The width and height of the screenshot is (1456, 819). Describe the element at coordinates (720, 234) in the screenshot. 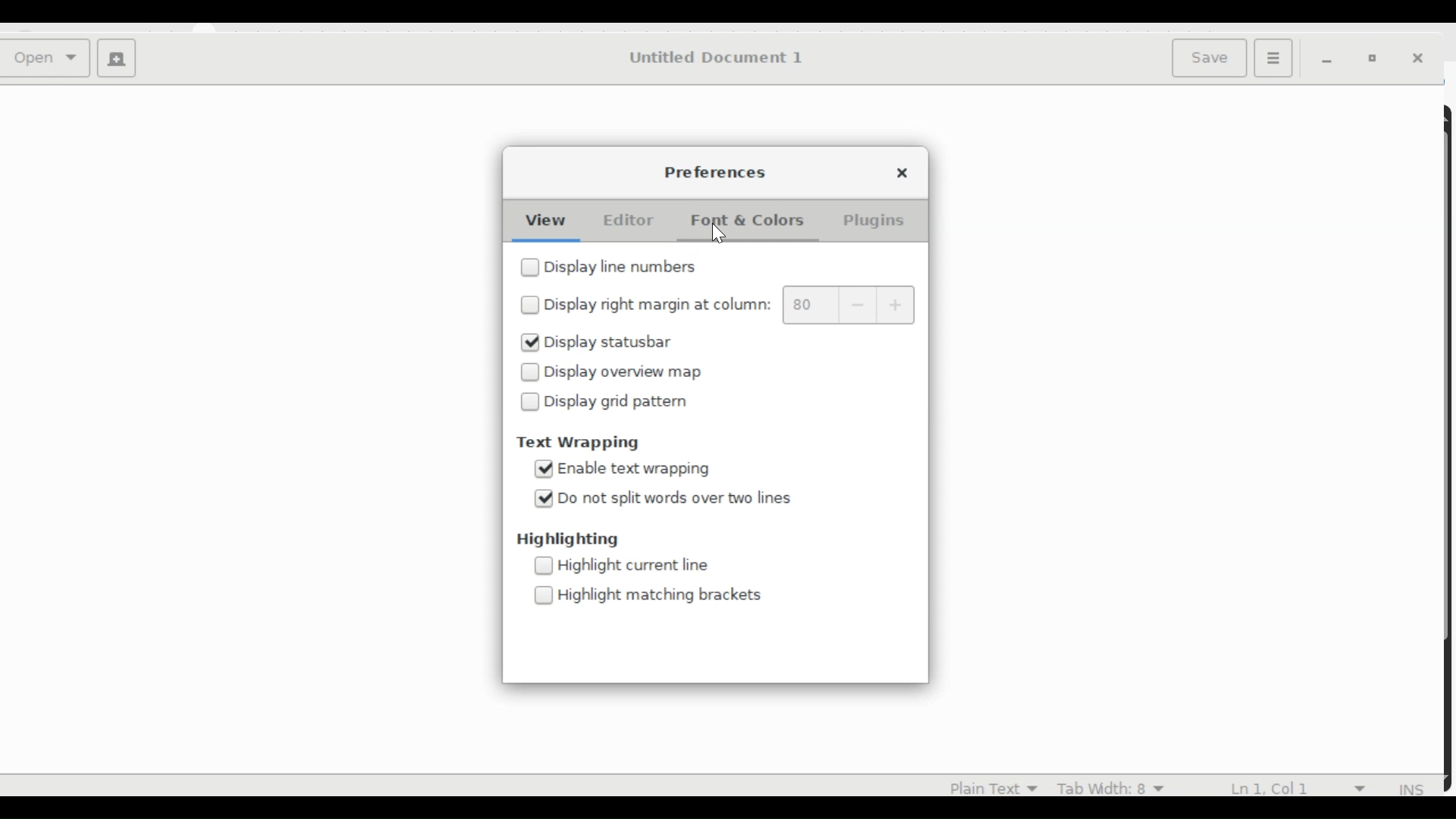

I see `cursor` at that location.